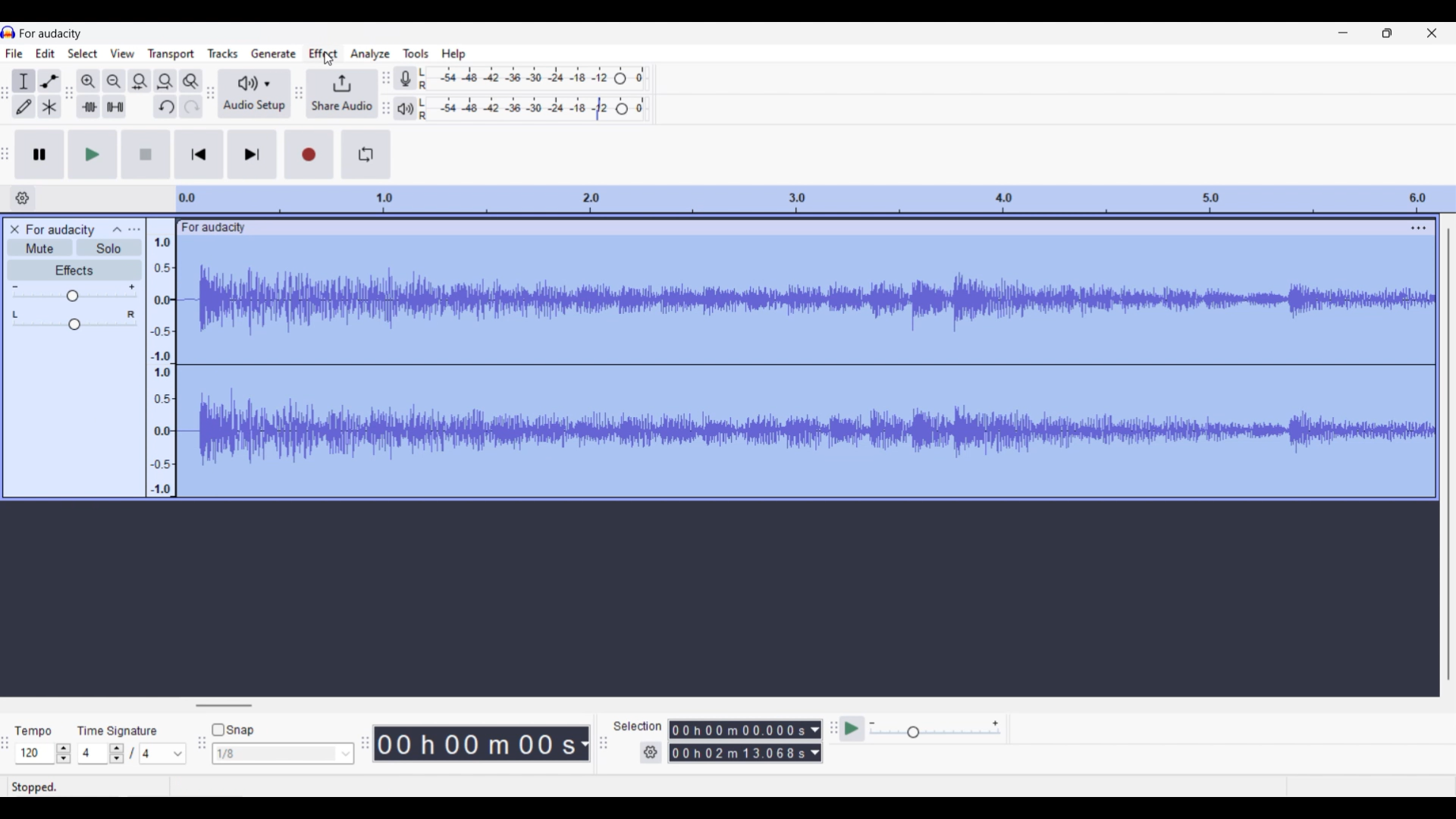 Image resolution: width=1456 pixels, height=819 pixels. Describe the element at coordinates (405, 78) in the screenshot. I see `Record meter` at that location.